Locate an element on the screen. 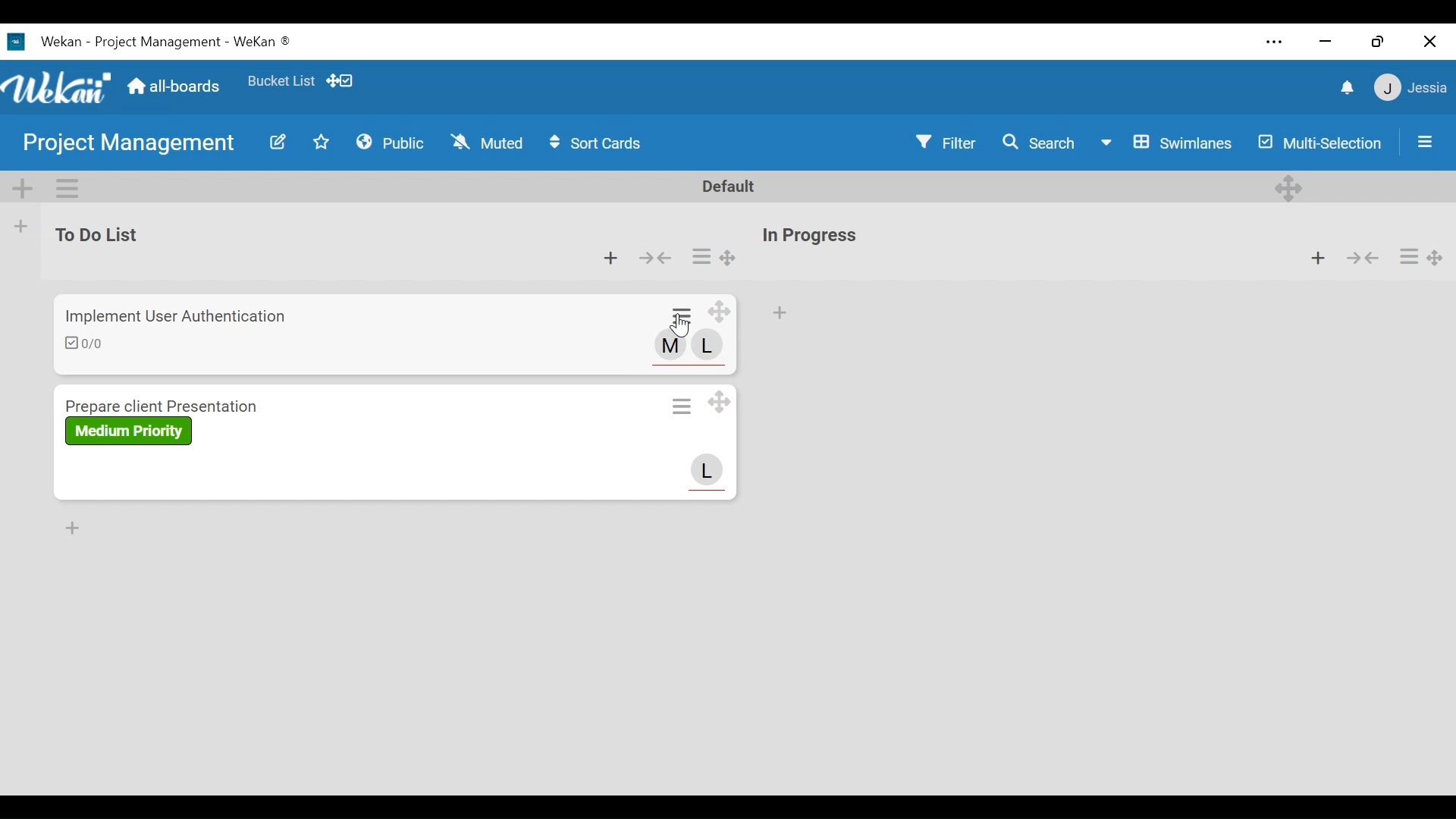  Card actions is located at coordinates (1407, 256).